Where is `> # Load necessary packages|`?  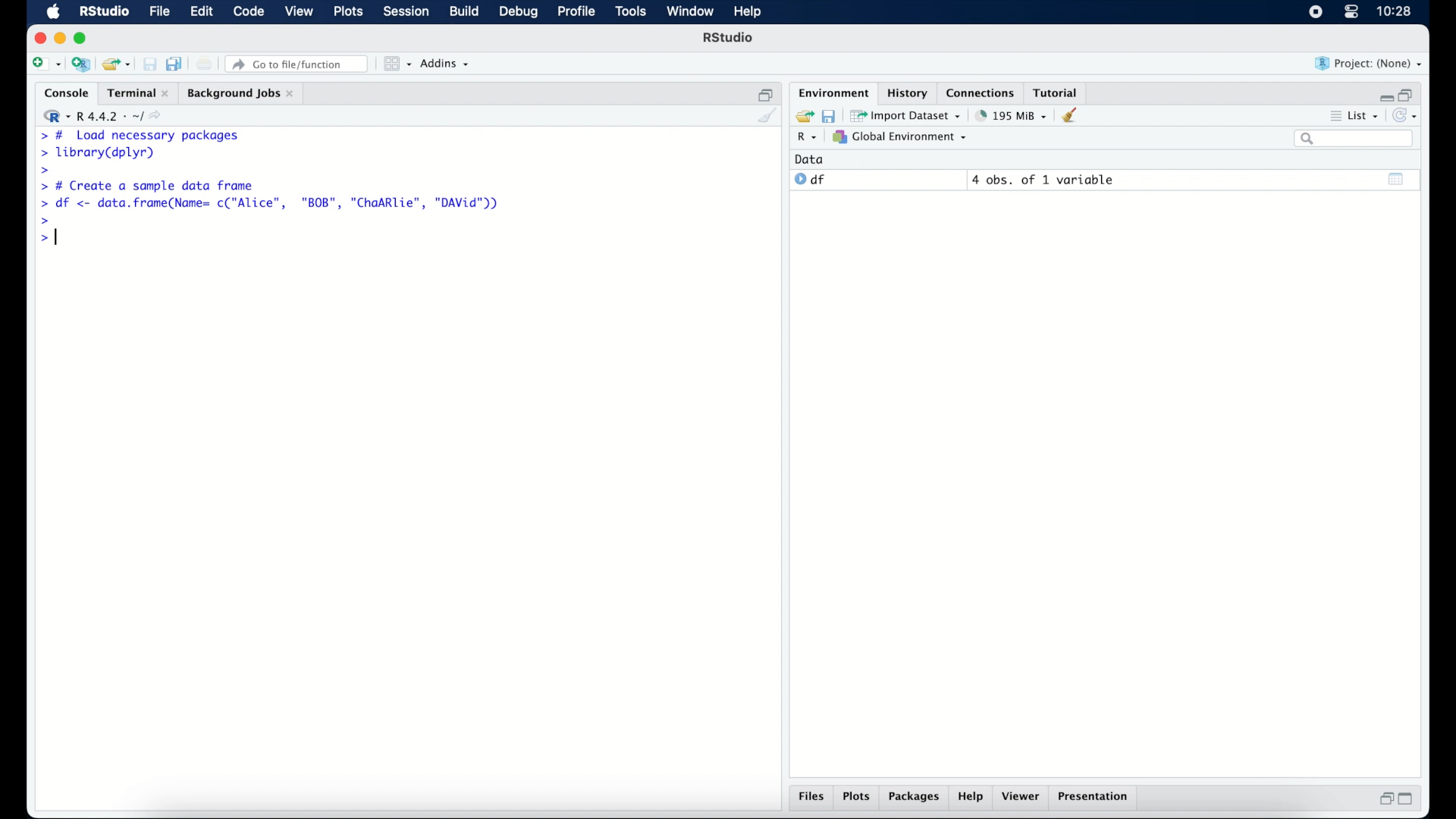 > # Load necessary packages| is located at coordinates (138, 134).